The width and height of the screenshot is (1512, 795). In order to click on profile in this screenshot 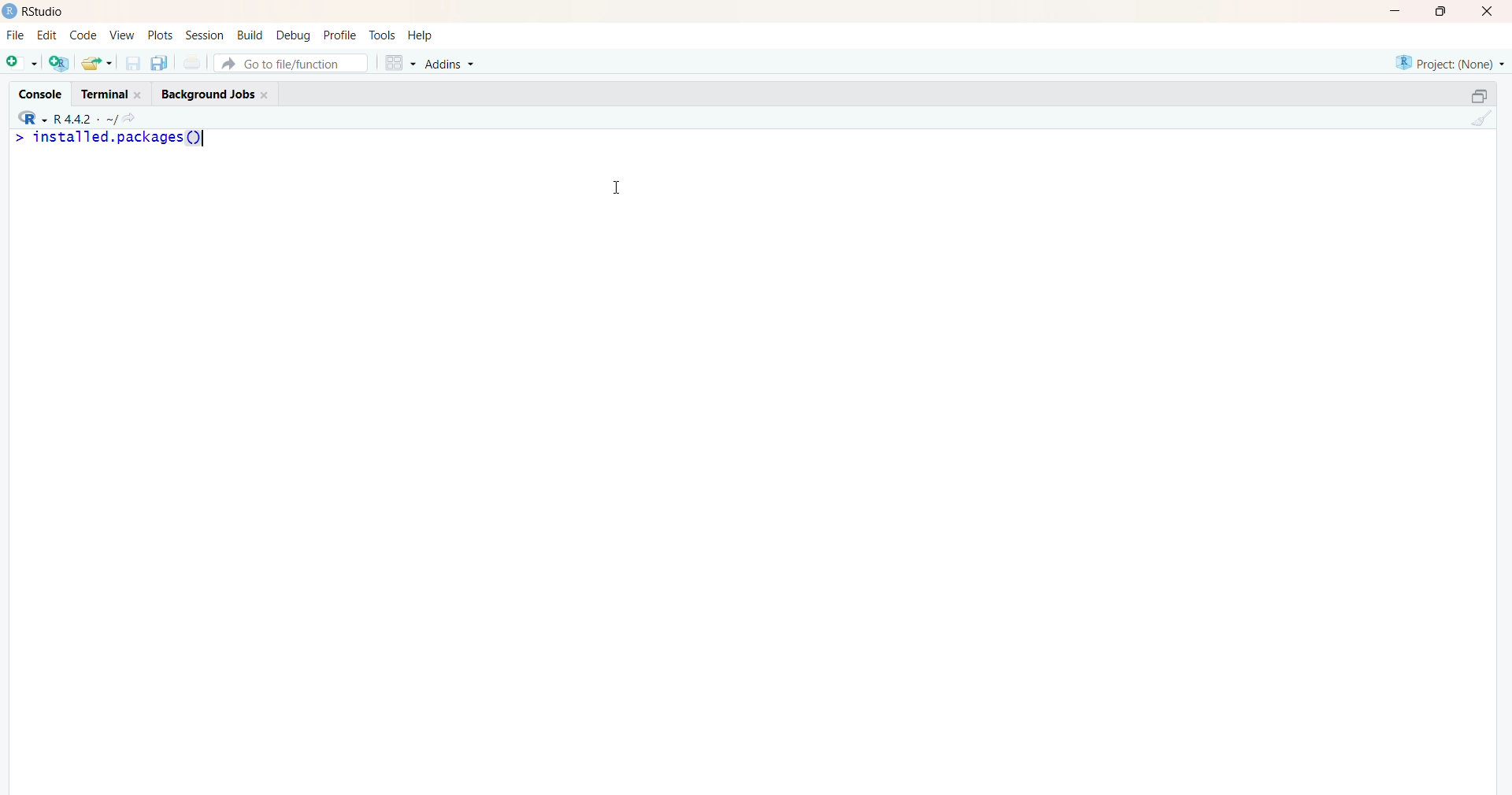, I will do `click(341, 35)`.